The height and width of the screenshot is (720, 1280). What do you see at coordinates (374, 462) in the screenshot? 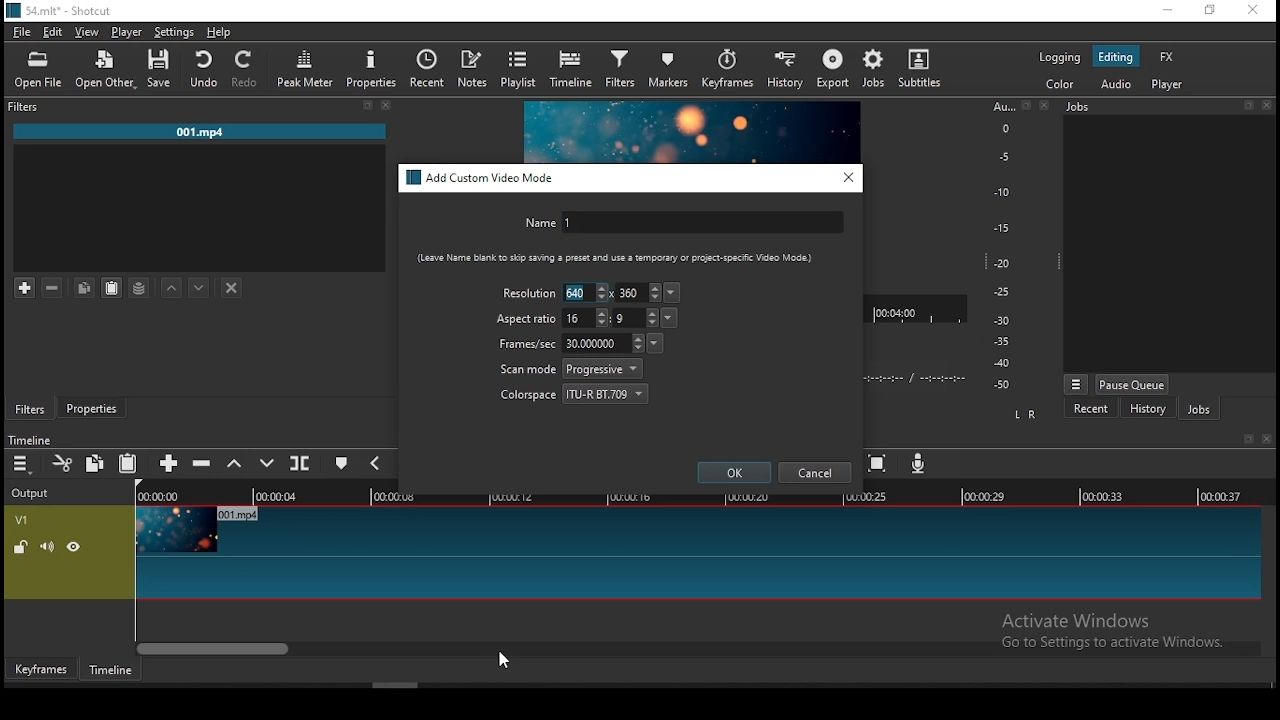
I see `previous marker` at bounding box center [374, 462].